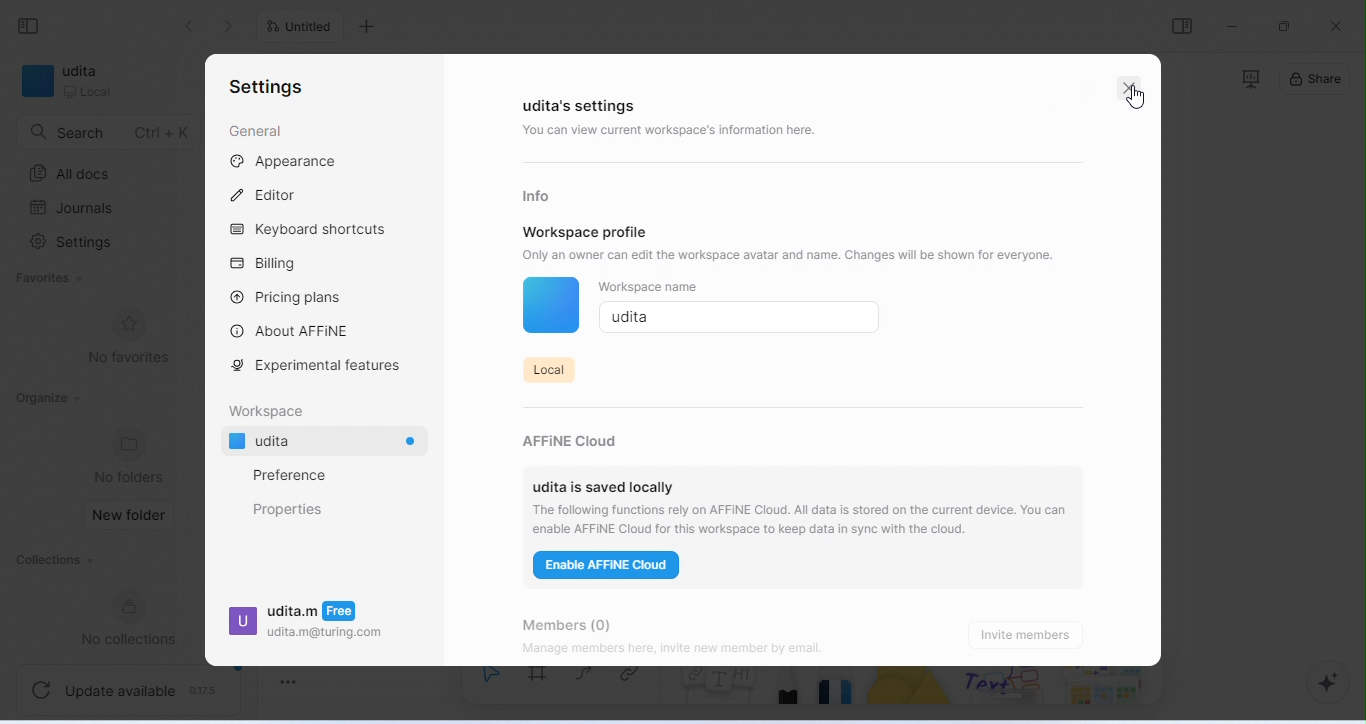 This screenshot has width=1366, height=724. What do you see at coordinates (839, 693) in the screenshot?
I see `eraser` at bounding box center [839, 693].